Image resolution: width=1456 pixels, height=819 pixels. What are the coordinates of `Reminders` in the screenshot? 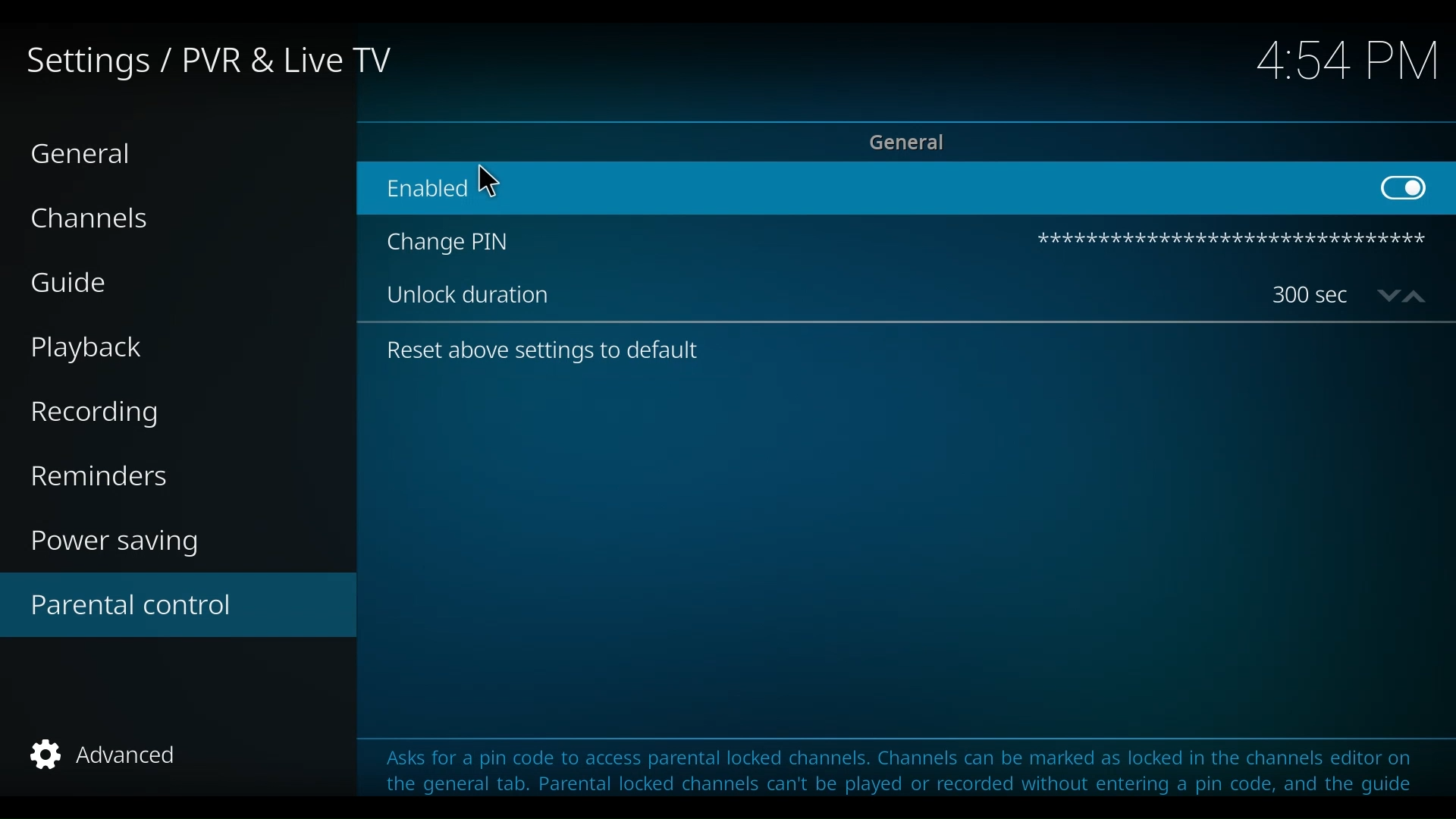 It's located at (102, 476).